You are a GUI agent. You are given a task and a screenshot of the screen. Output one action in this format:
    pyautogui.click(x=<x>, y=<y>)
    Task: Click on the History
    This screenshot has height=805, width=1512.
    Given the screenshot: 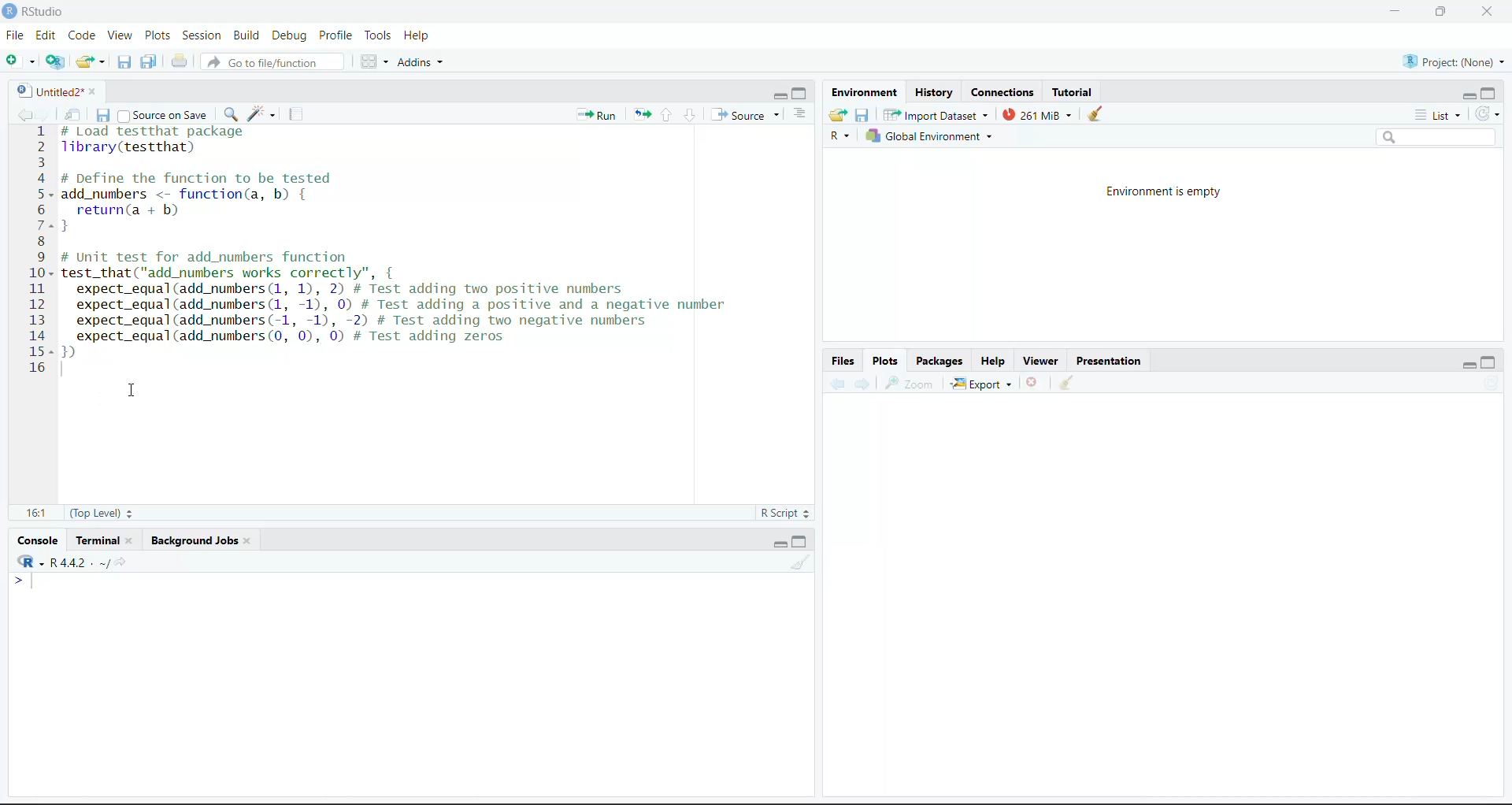 What is the action you would take?
    pyautogui.click(x=934, y=93)
    